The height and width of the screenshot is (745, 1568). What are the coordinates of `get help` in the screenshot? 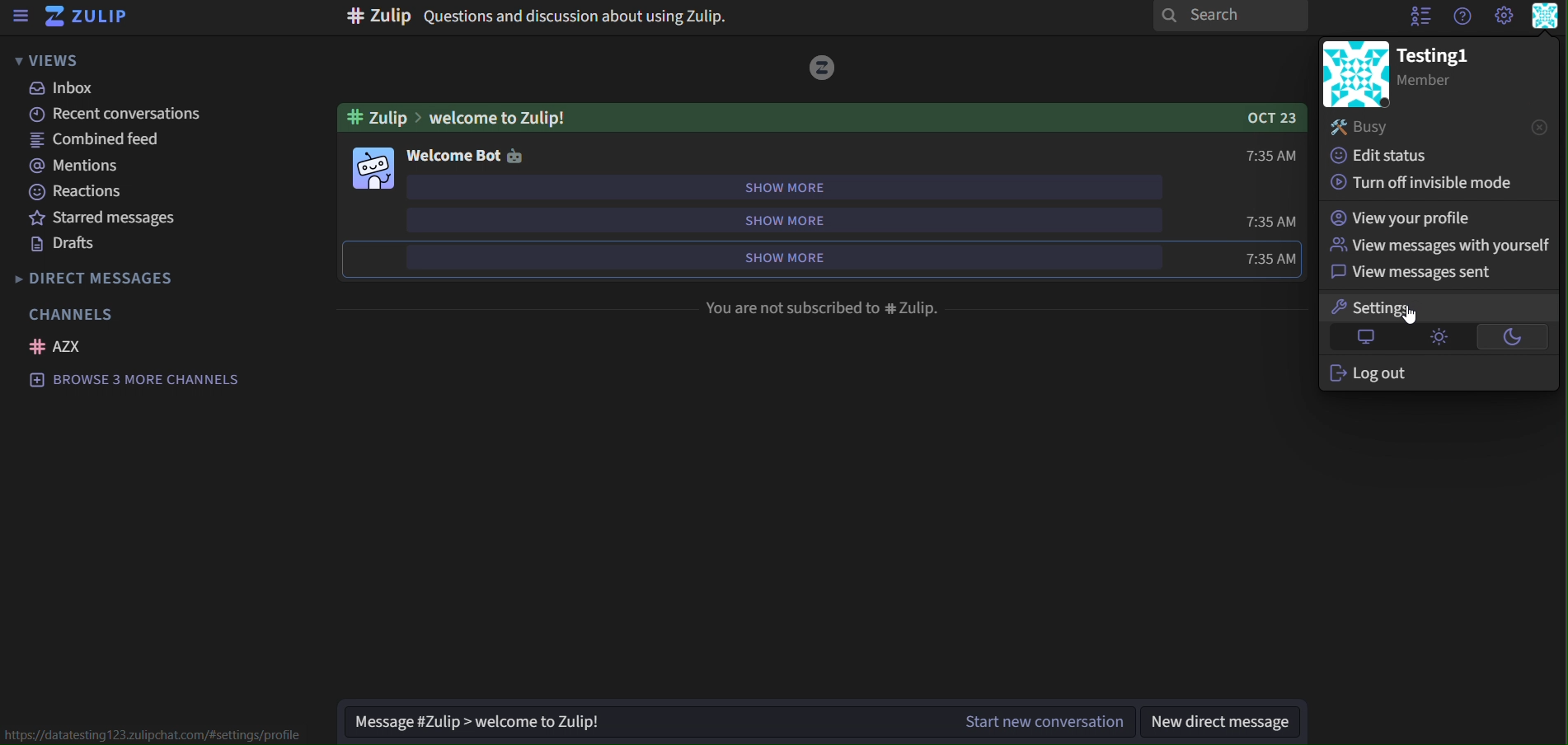 It's located at (1461, 18).